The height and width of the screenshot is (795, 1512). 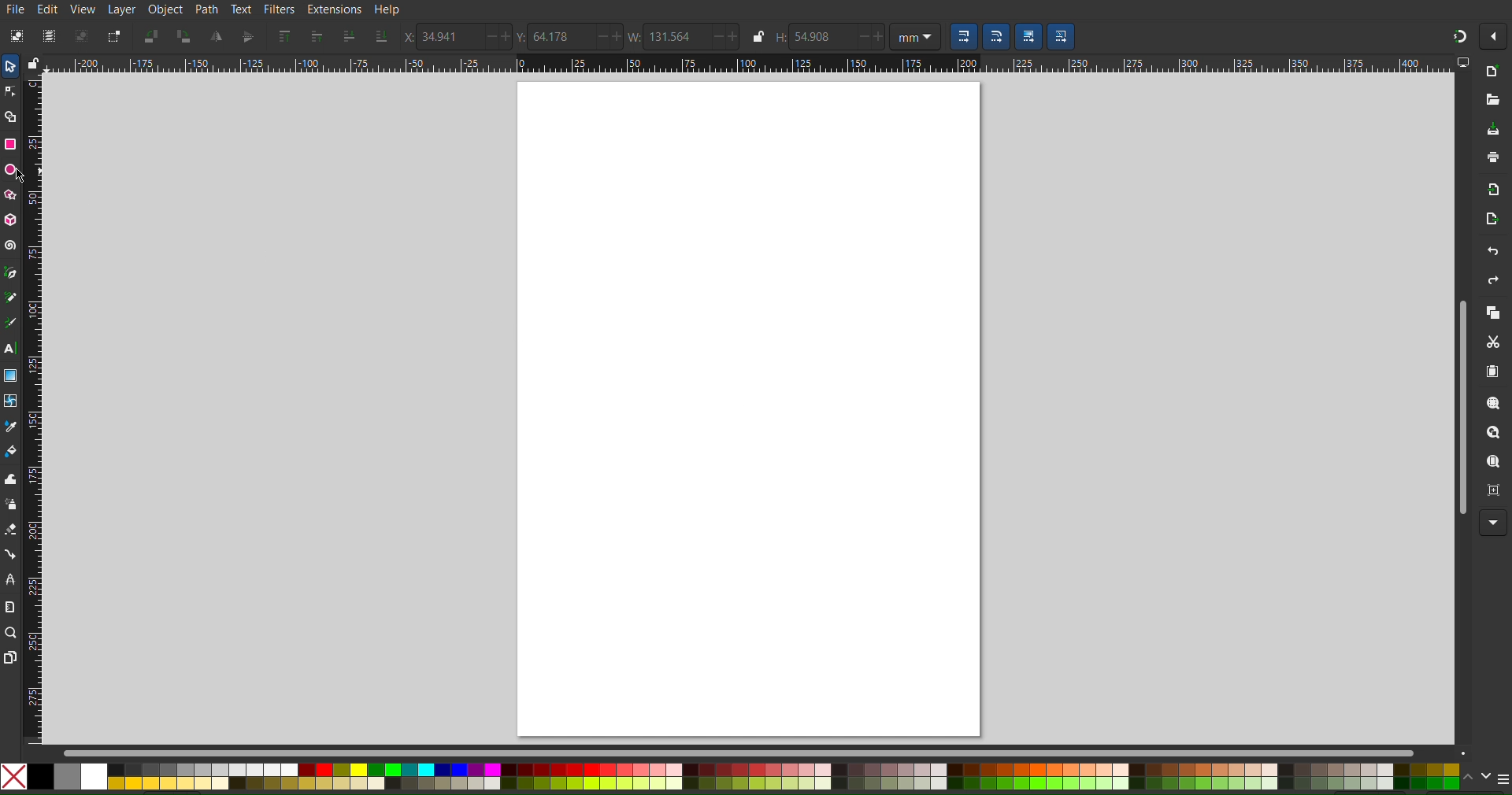 I want to click on menu, so click(x=1503, y=780).